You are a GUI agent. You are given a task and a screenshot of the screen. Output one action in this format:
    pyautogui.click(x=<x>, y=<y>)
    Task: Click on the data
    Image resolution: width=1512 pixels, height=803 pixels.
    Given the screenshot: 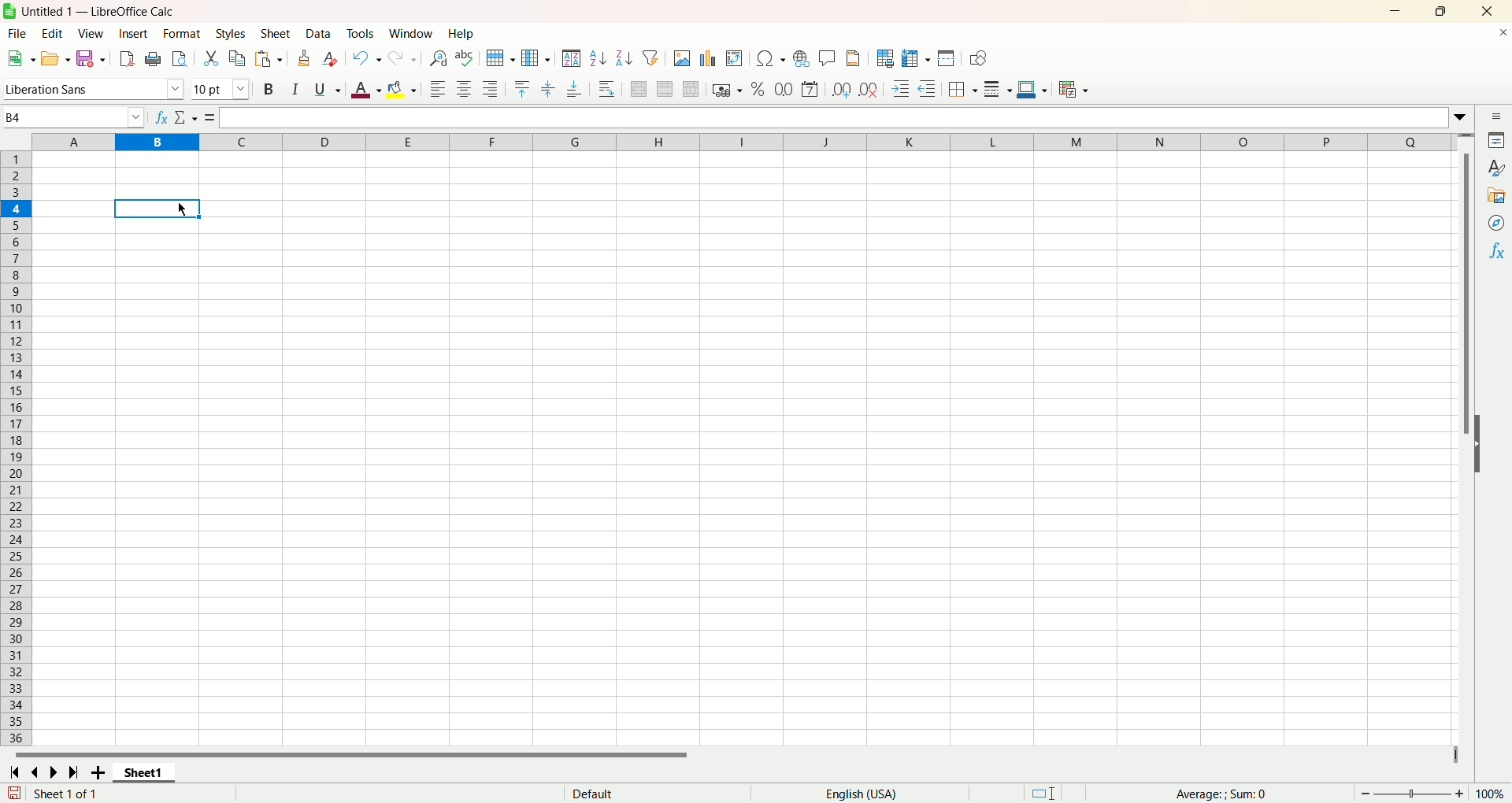 What is the action you would take?
    pyautogui.click(x=321, y=34)
    